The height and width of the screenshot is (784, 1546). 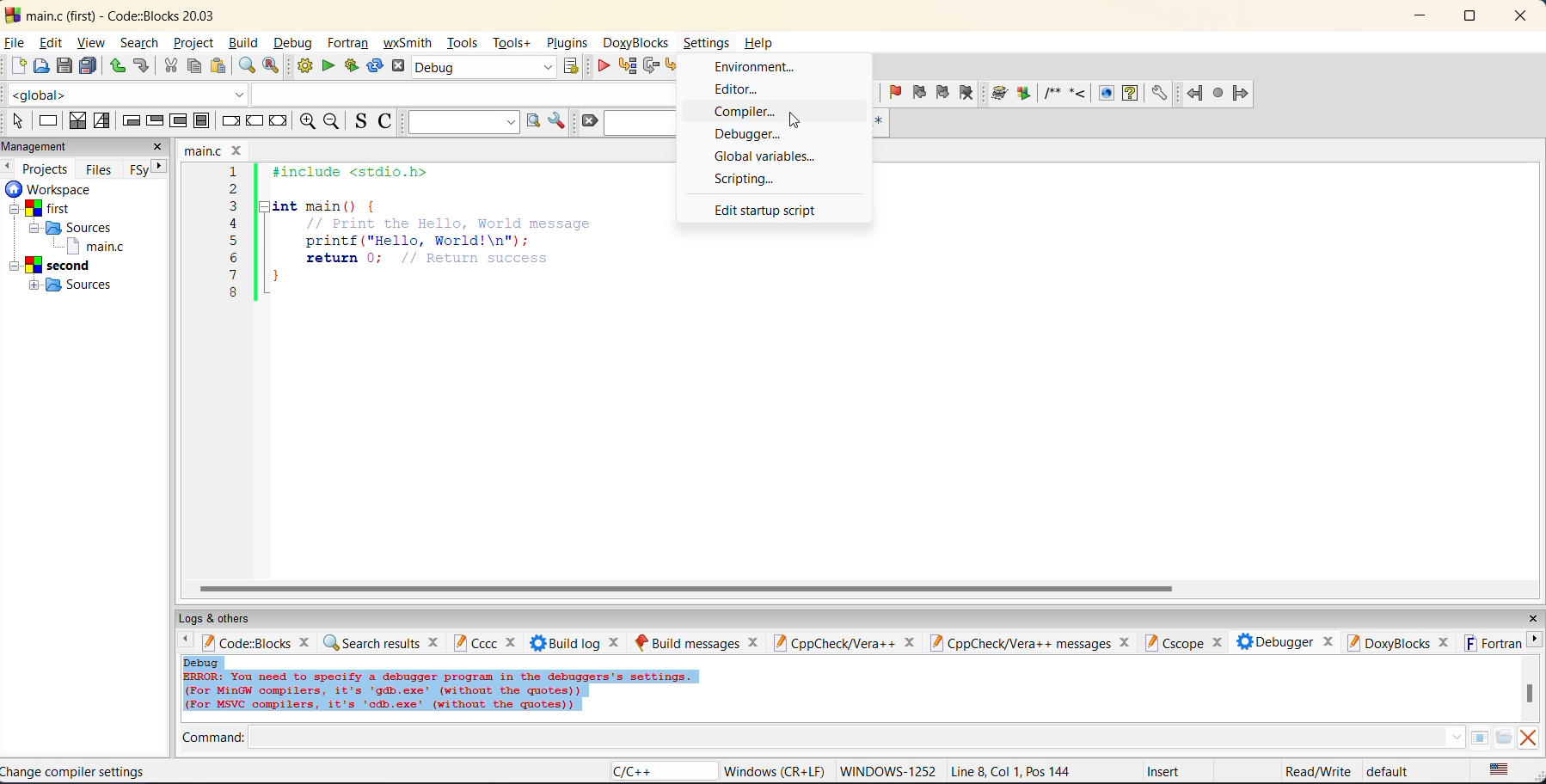 I want to click on run search, so click(x=536, y=122).